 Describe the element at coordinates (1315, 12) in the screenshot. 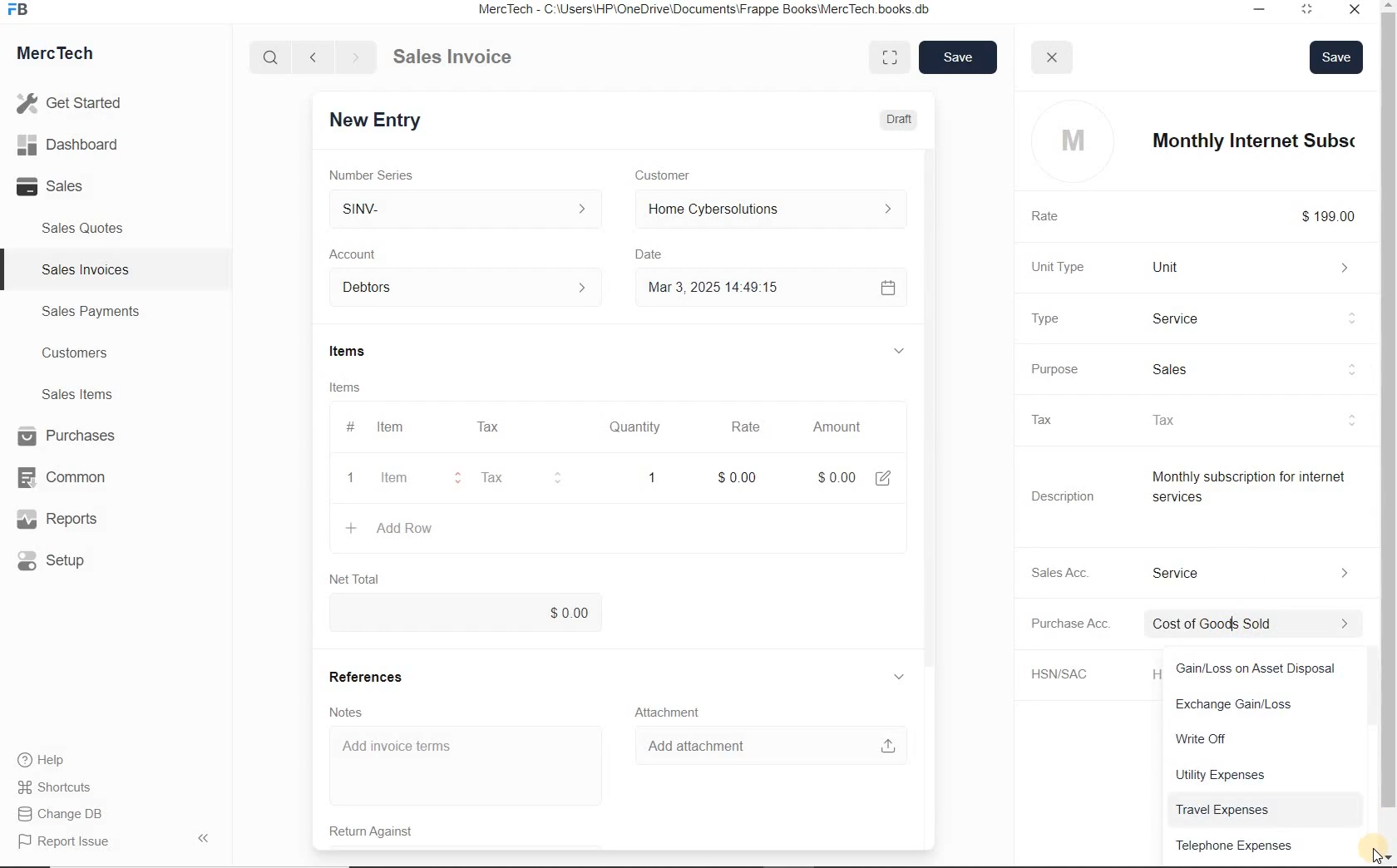

I see `Maximum` at that location.